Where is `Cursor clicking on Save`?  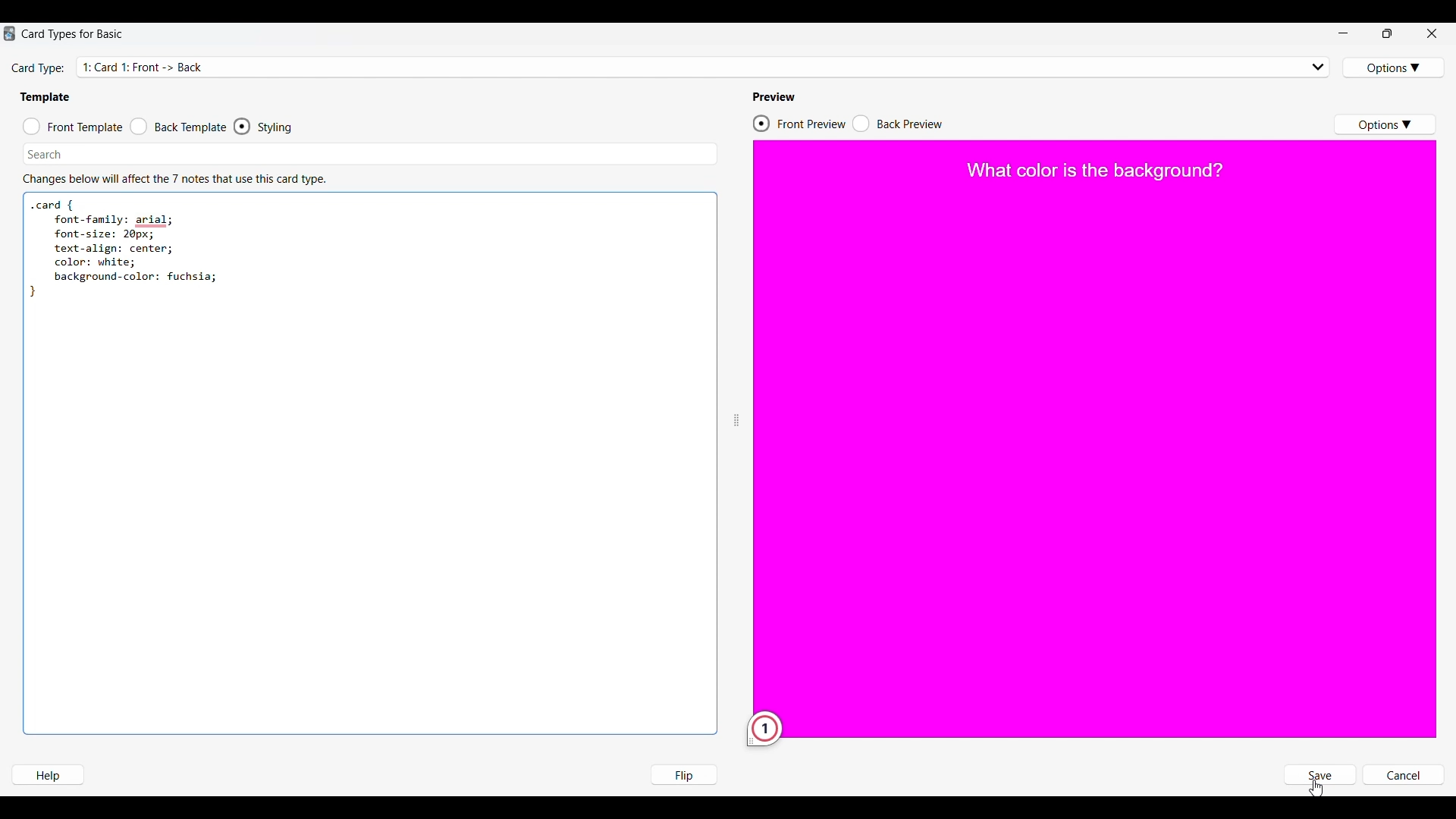
Cursor clicking on Save is located at coordinates (1316, 789).